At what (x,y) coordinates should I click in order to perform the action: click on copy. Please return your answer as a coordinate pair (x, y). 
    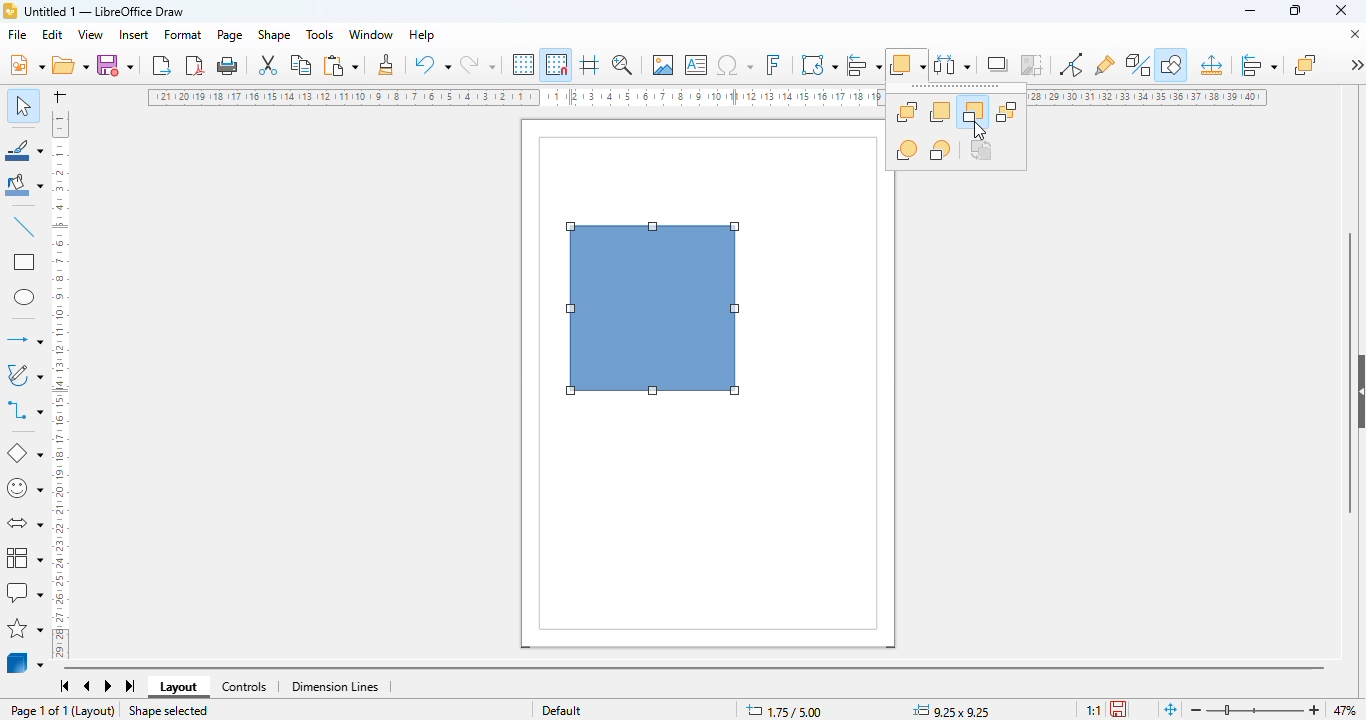
    Looking at the image, I should click on (302, 65).